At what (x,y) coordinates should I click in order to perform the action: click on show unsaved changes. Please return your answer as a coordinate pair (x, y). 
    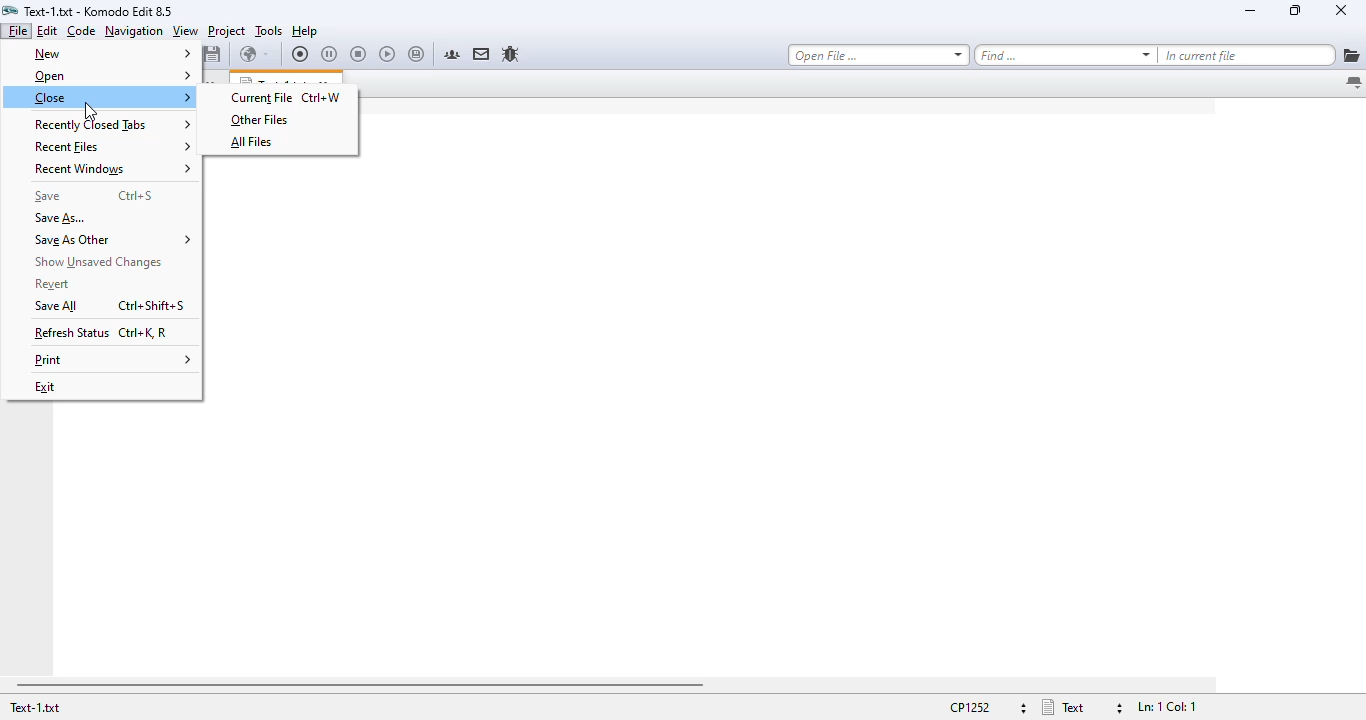
    Looking at the image, I should click on (101, 262).